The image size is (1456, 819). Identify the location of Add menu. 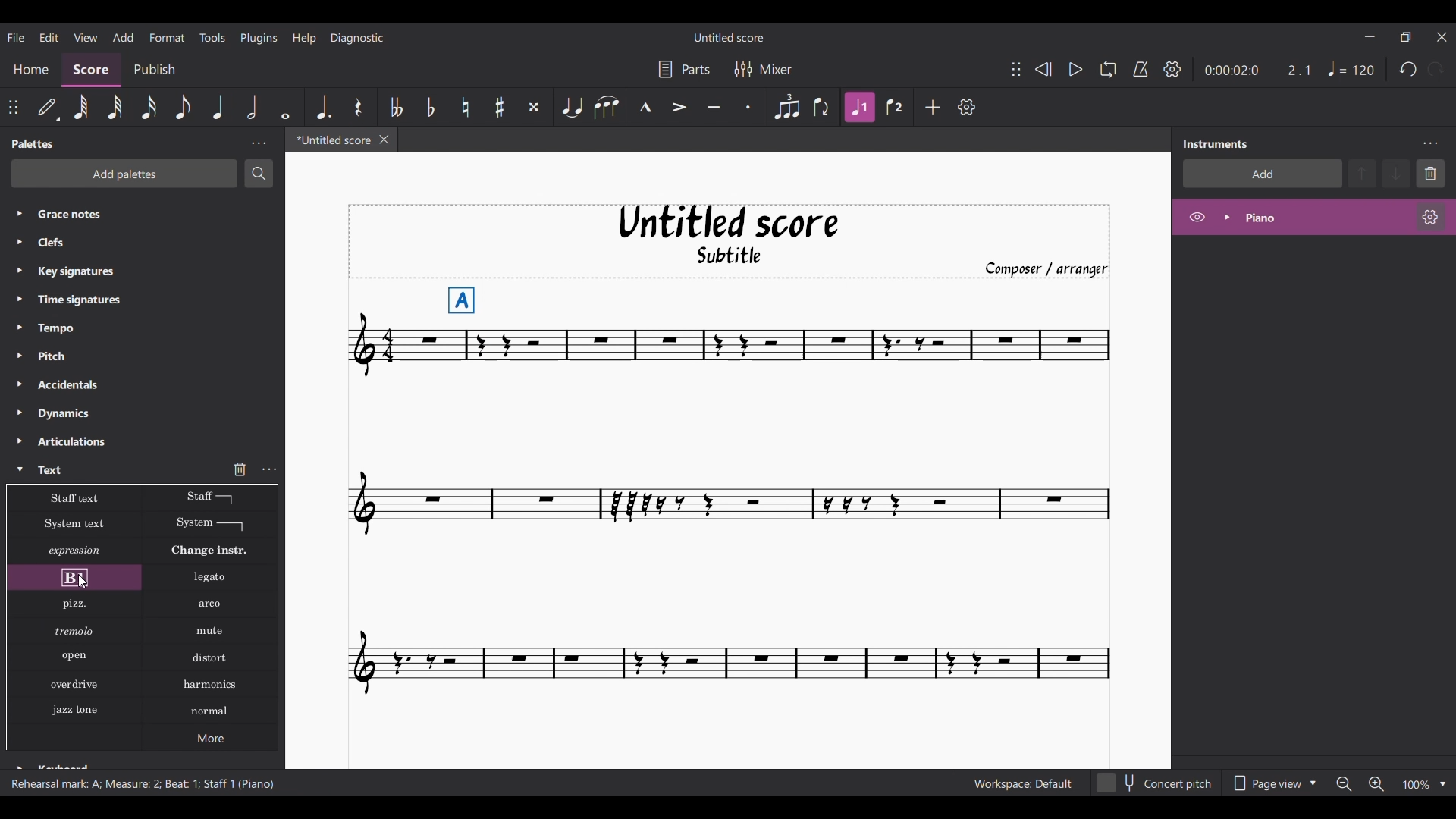
(124, 37).